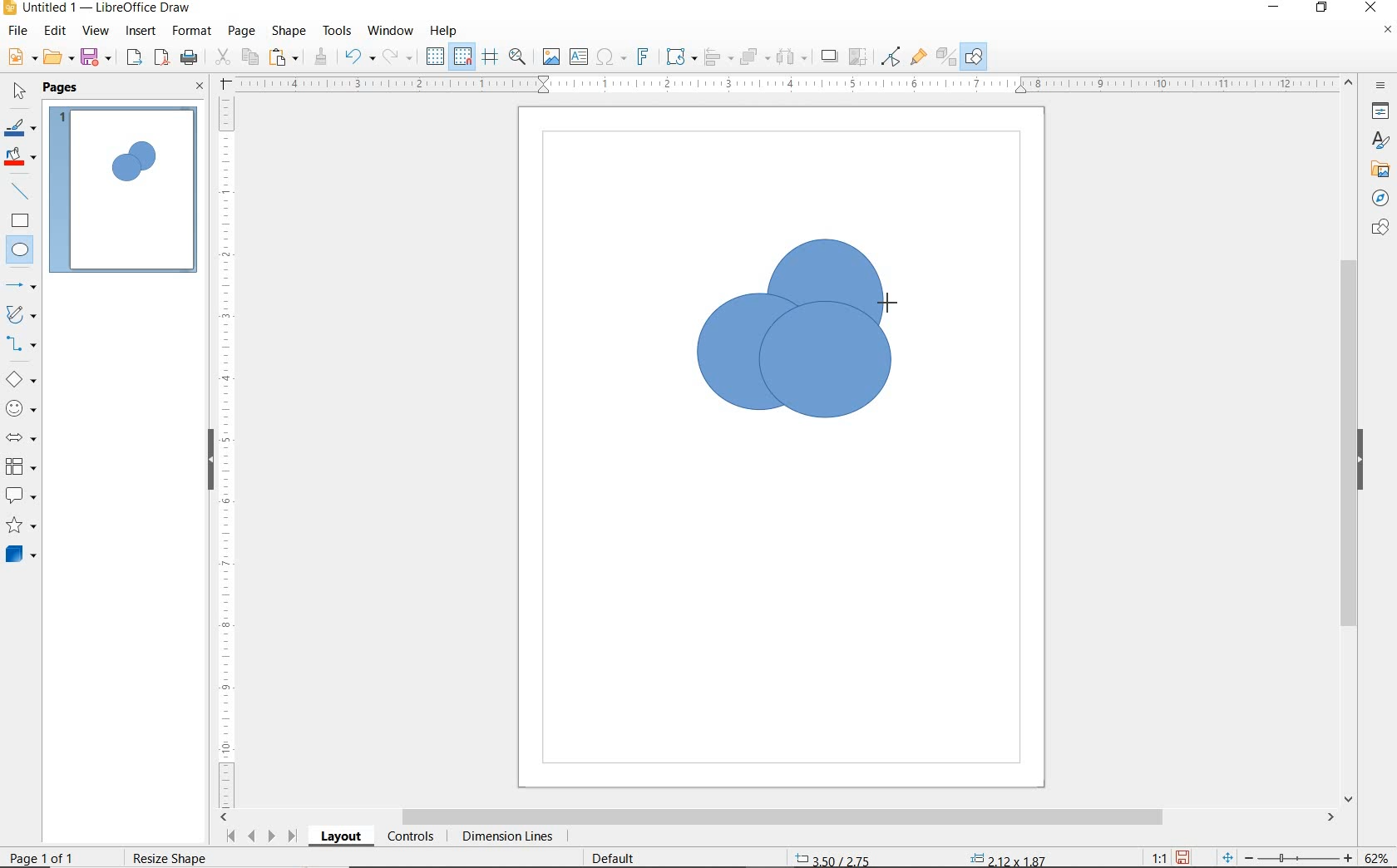 This screenshot has height=868, width=1397. I want to click on TOOLS, so click(337, 30).